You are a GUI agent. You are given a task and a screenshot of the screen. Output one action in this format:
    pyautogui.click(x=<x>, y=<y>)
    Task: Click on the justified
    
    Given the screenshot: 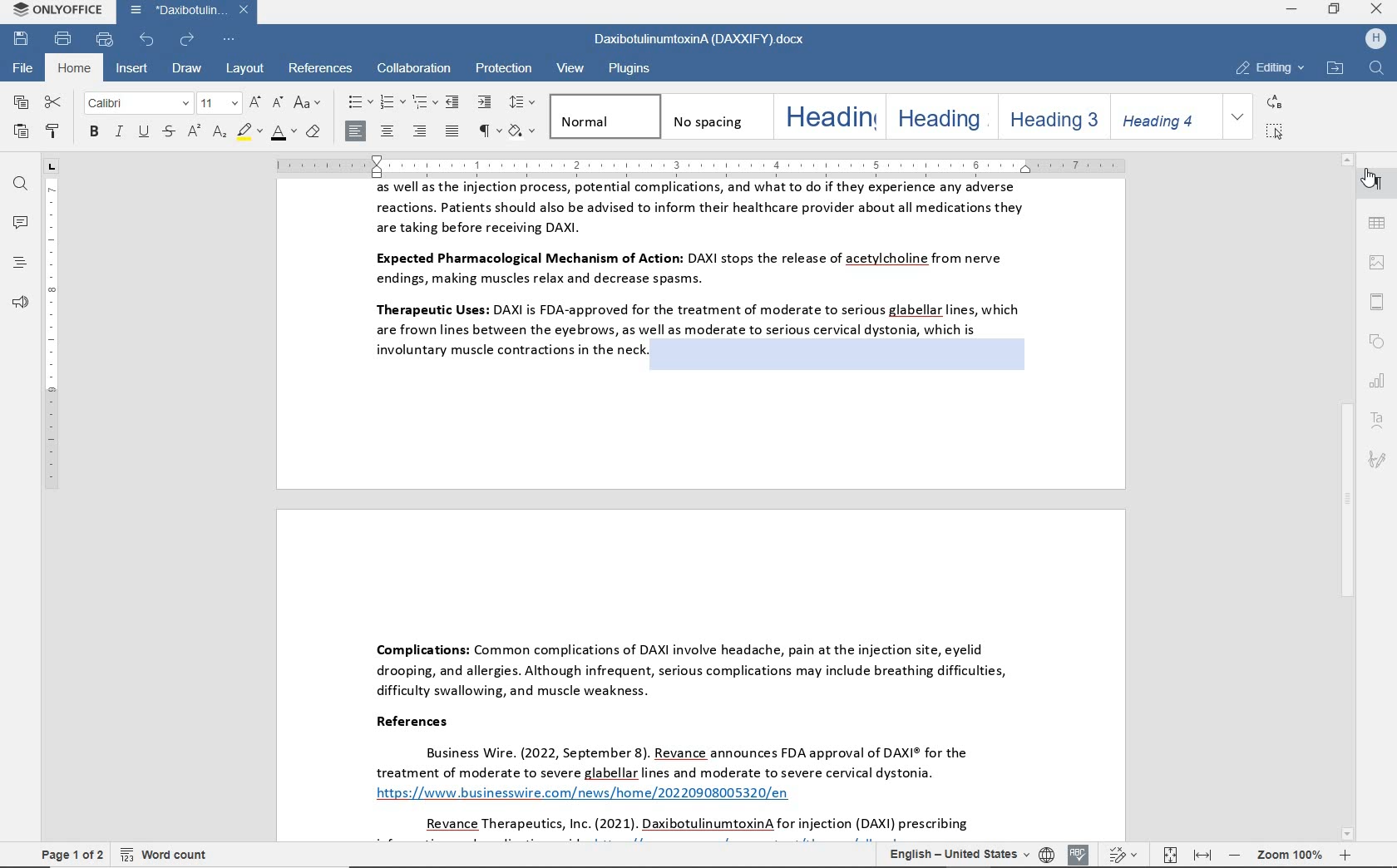 What is the action you would take?
    pyautogui.click(x=453, y=132)
    